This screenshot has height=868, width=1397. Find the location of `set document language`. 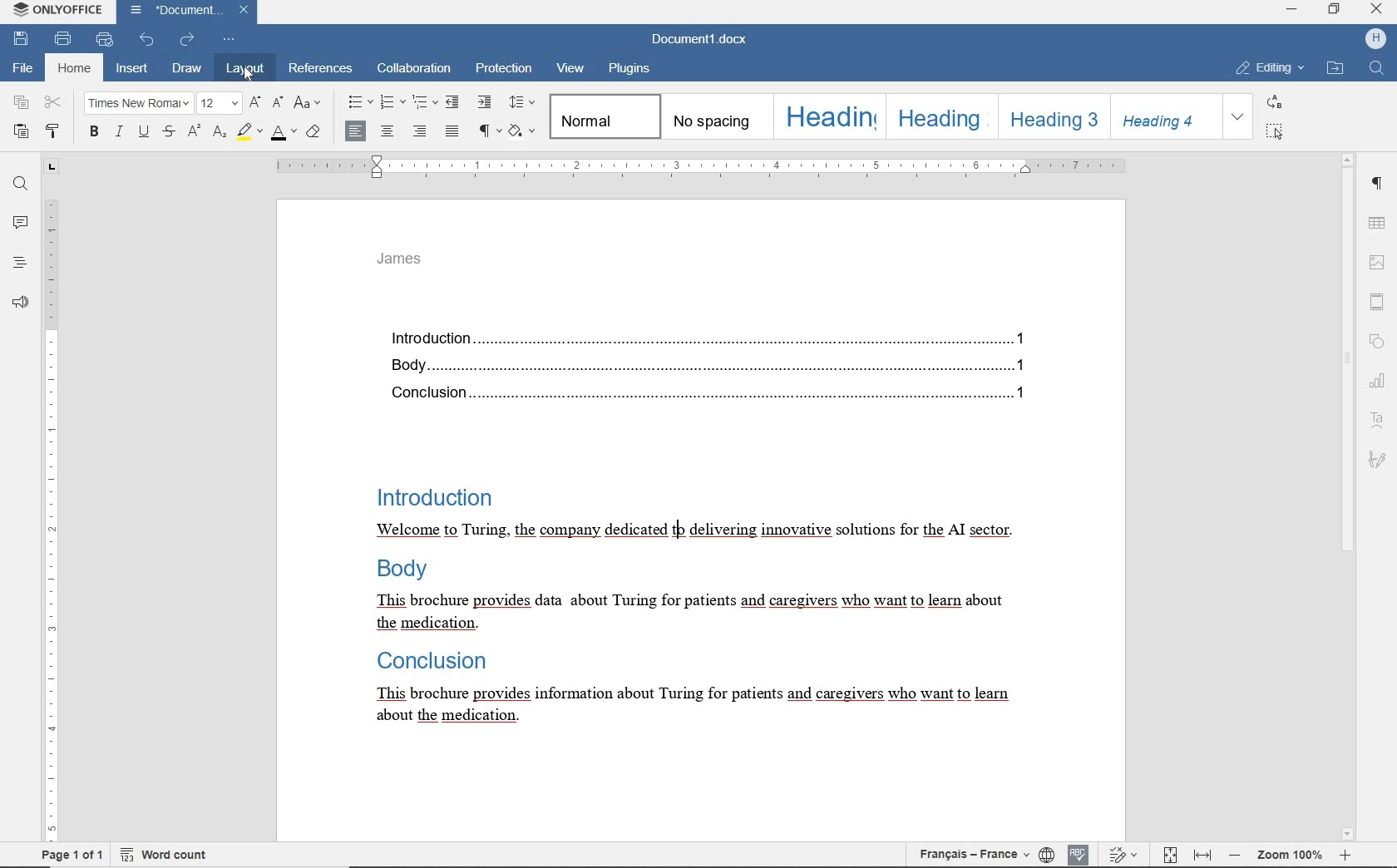

set document language is located at coordinates (1045, 851).